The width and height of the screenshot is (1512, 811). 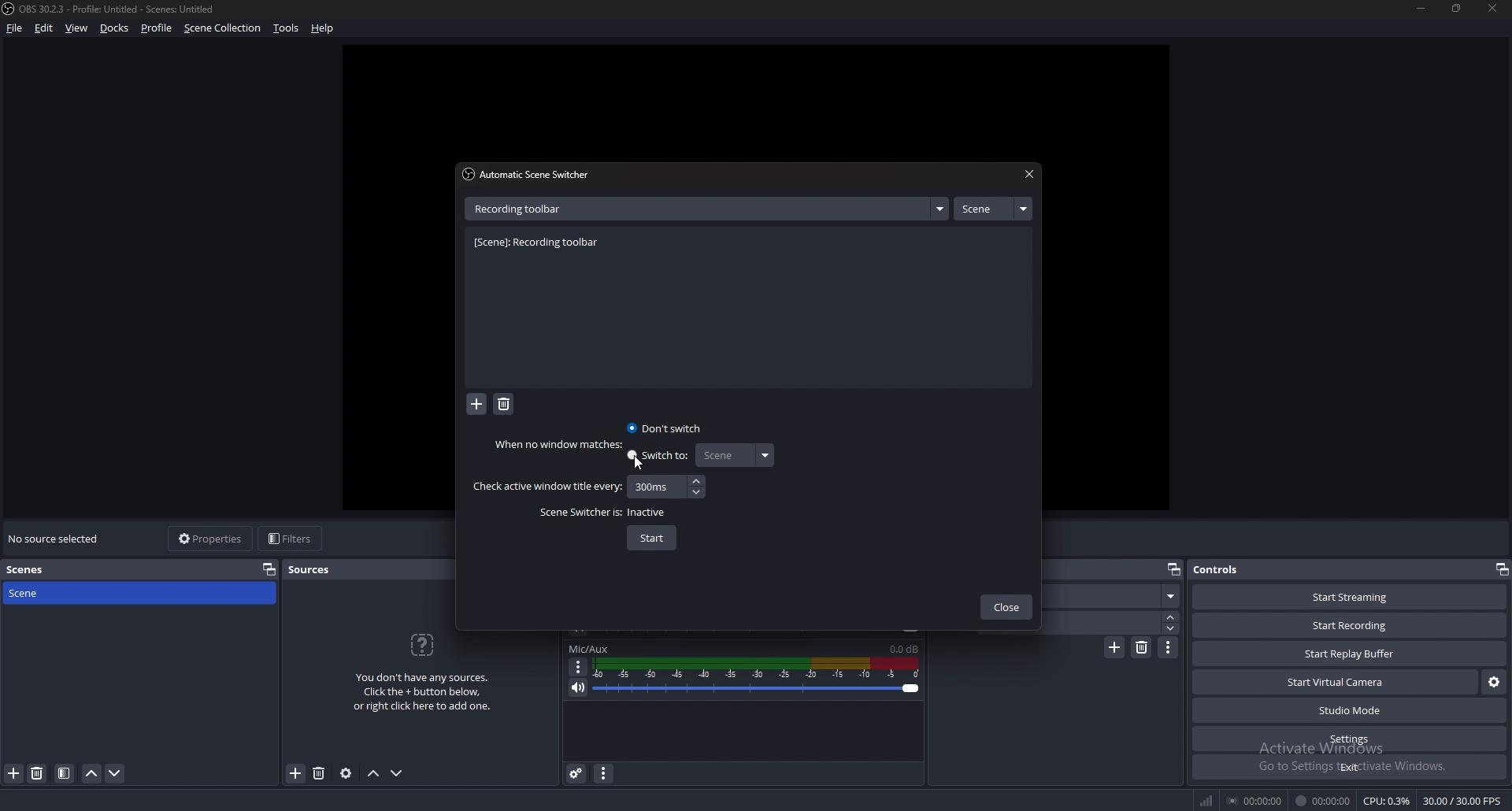 What do you see at coordinates (1351, 654) in the screenshot?
I see `start replay buffer` at bounding box center [1351, 654].